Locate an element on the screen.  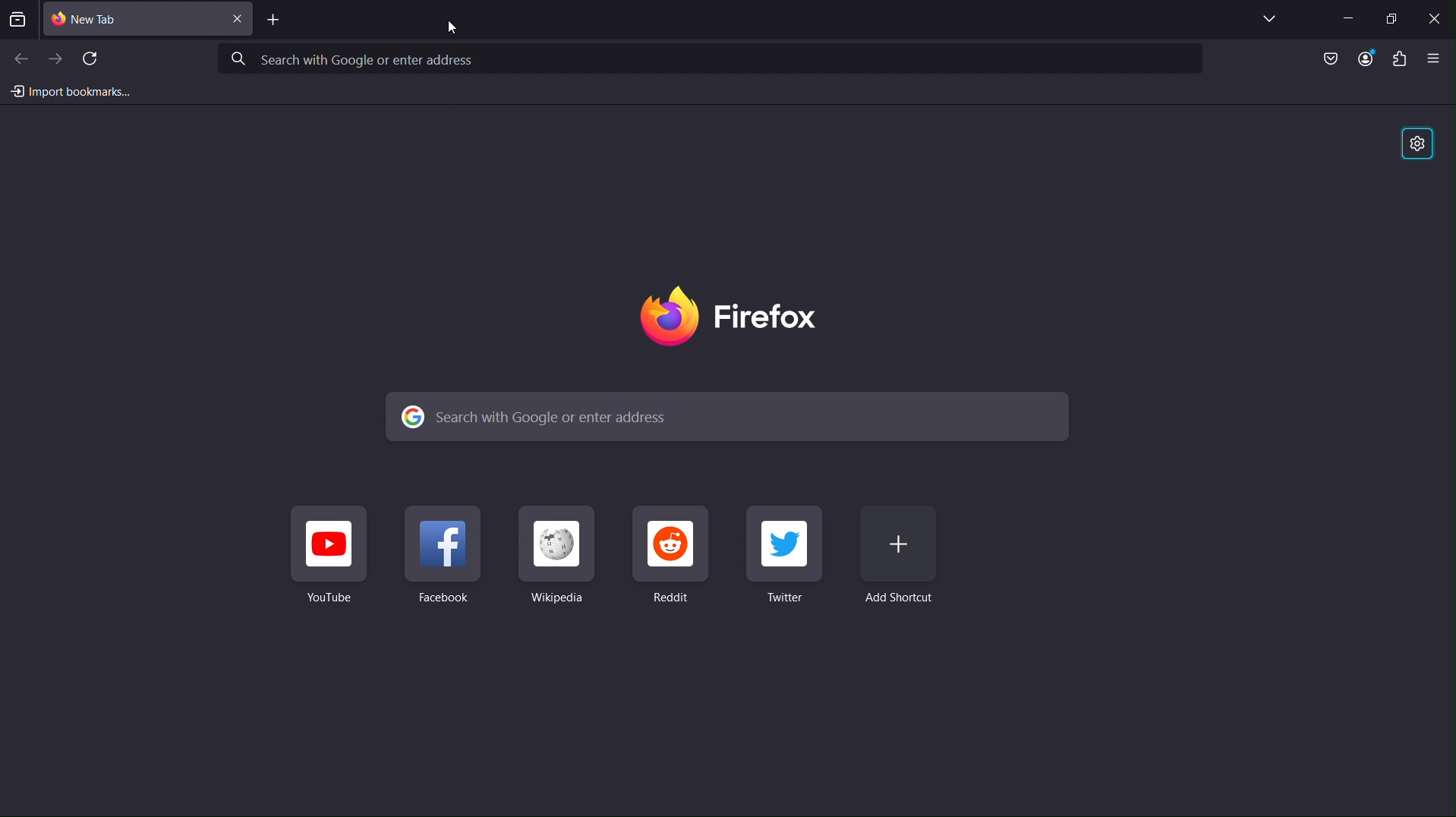
Youtube Shortcut is located at coordinates (329, 559).